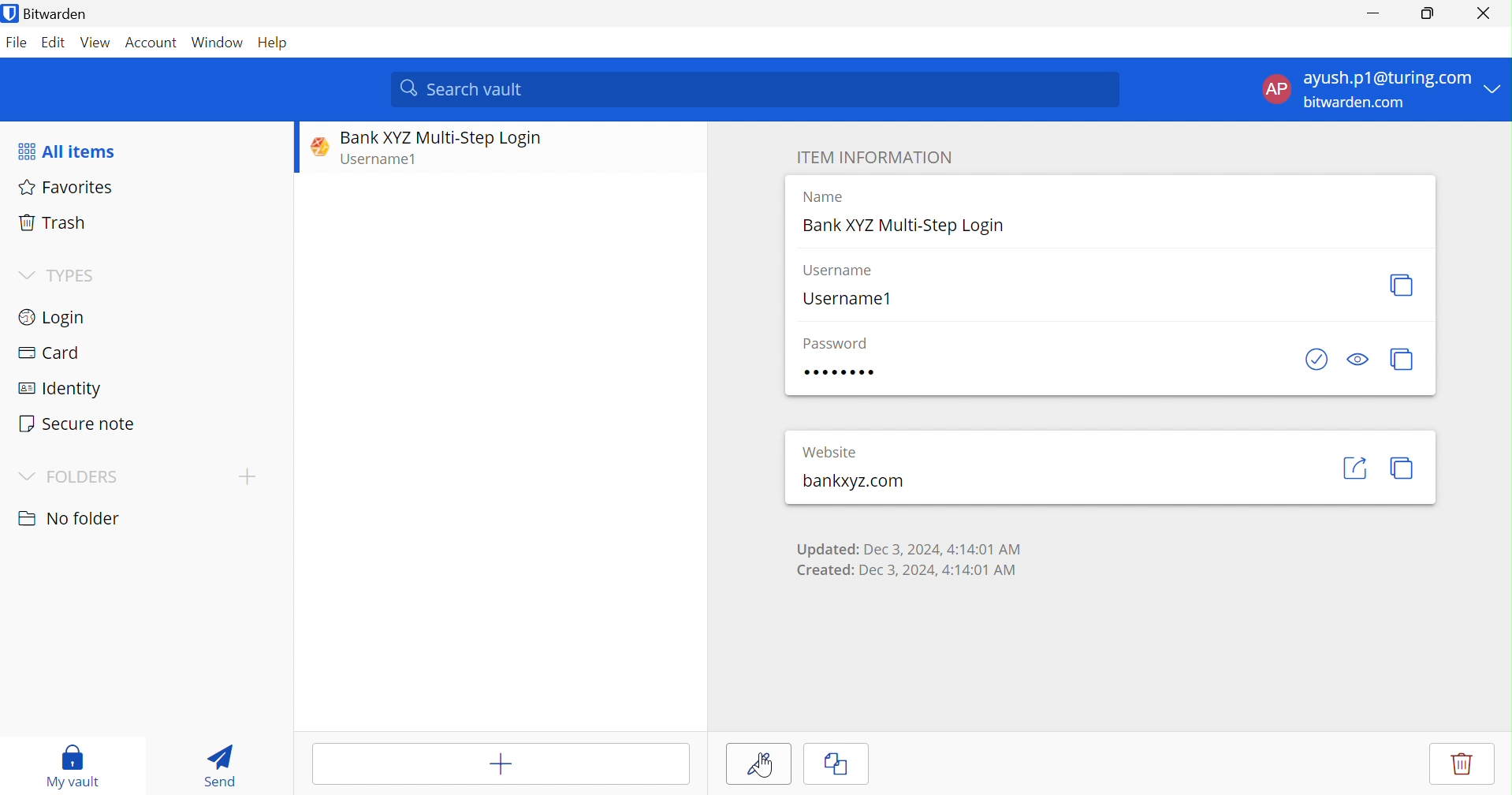  I want to click on Edit, so click(53, 43).